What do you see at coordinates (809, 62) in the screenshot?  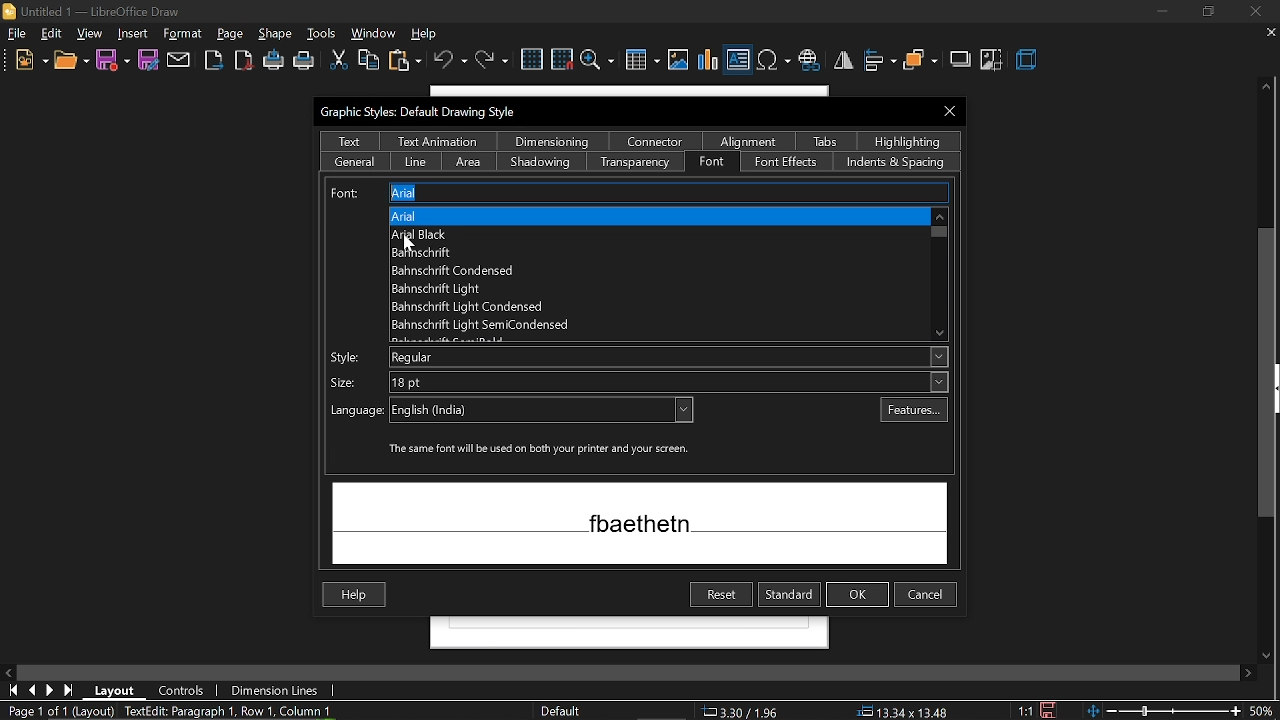 I see `insert hyperlink` at bounding box center [809, 62].